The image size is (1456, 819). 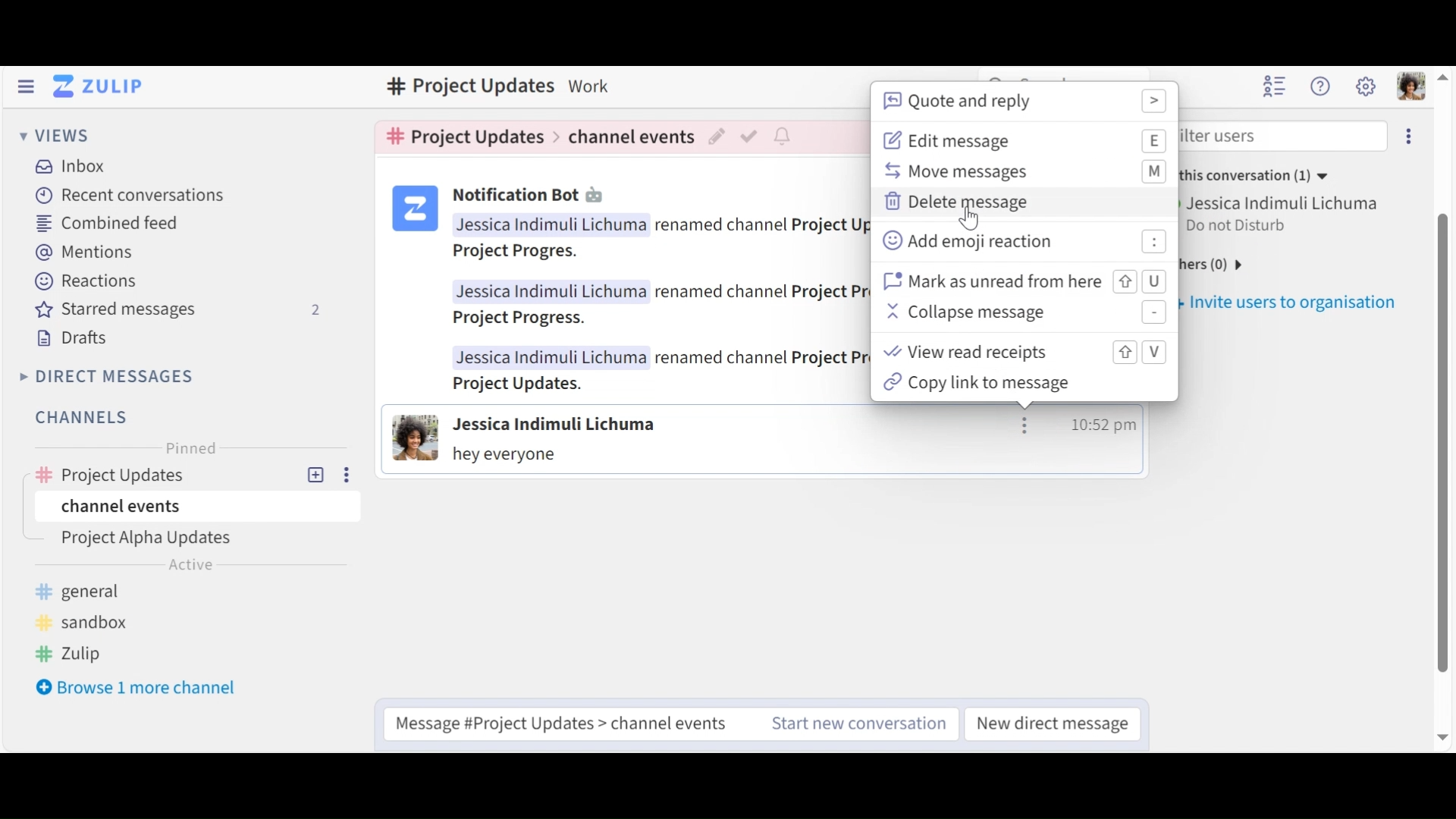 What do you see at coordinates (1018, 282) in the screenshot?
I see `Mark as unread` at bounding box center [1018, 282].